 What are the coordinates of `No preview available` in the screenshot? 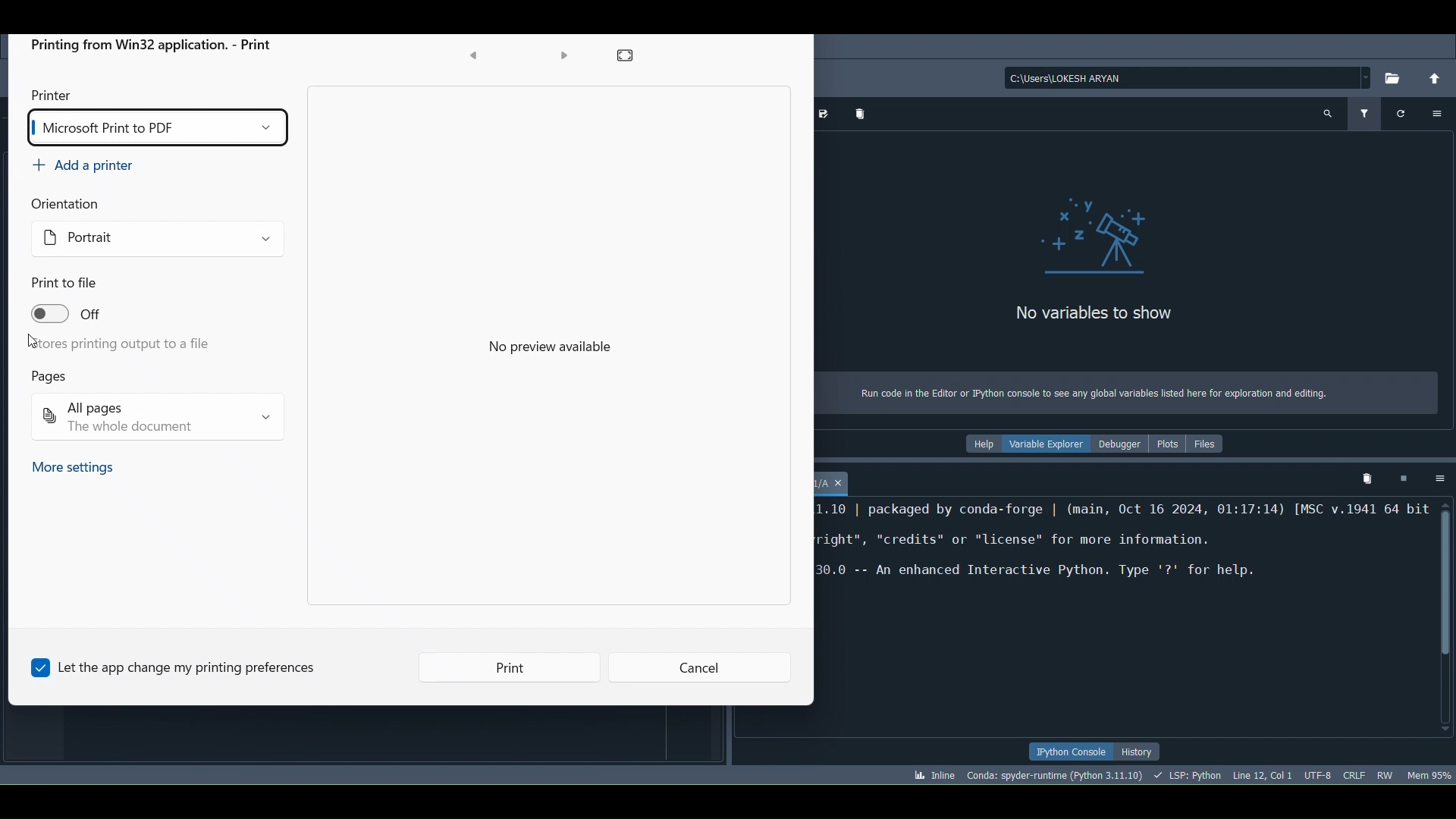 It's located at (563, 349).